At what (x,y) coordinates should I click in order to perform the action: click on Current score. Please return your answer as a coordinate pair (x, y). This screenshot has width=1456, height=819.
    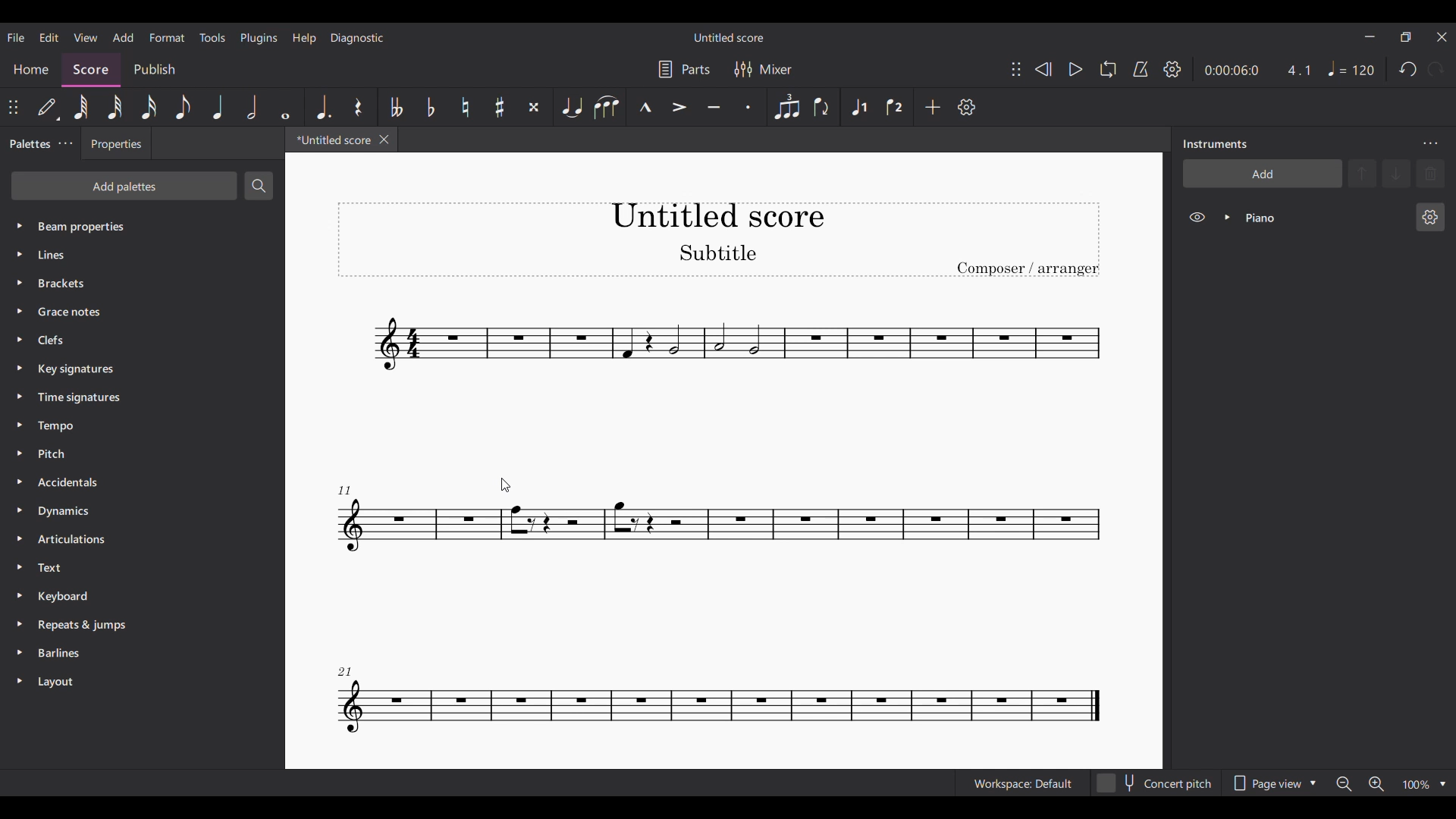
    Looking at the image, I should click on (716, 524).